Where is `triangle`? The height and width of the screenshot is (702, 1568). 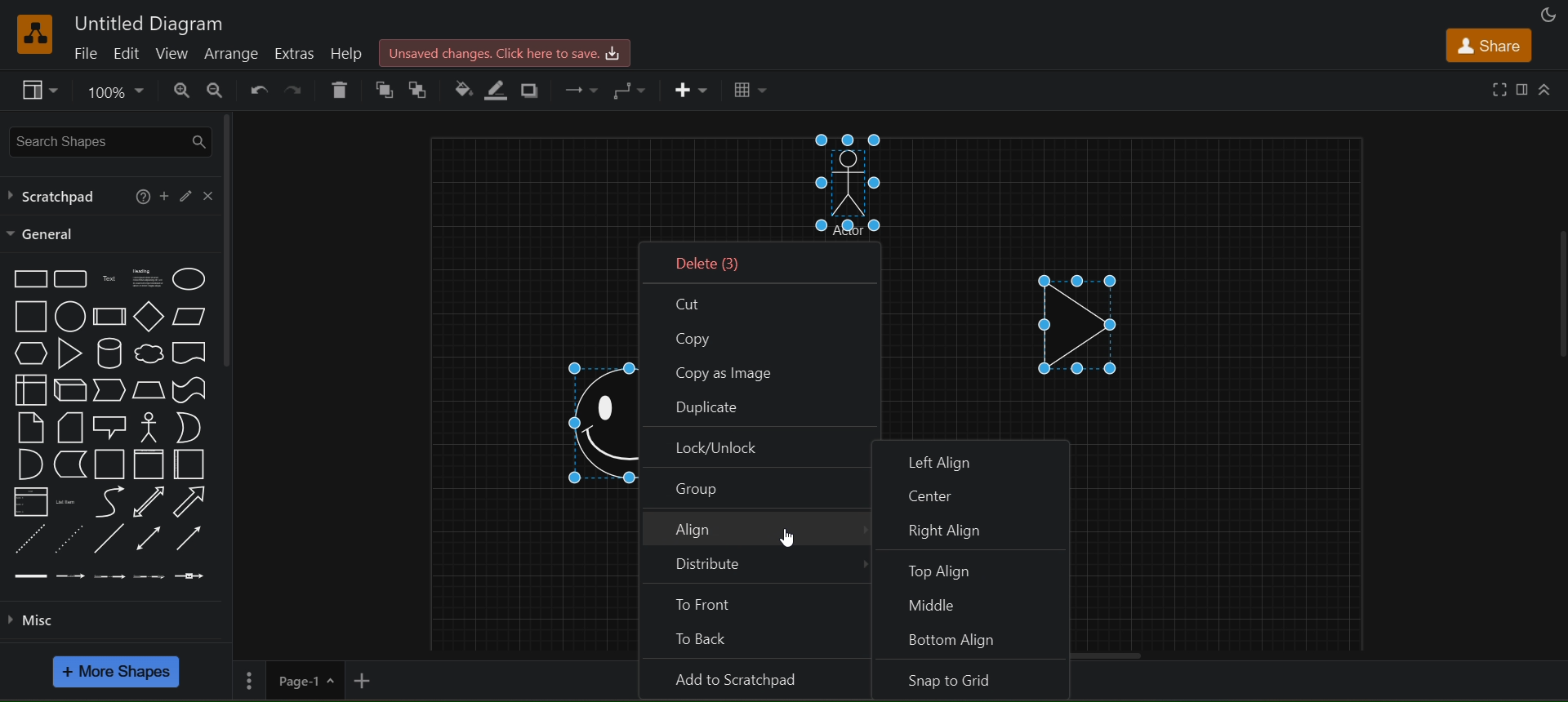
triangle is located at coordinates (68, 353).